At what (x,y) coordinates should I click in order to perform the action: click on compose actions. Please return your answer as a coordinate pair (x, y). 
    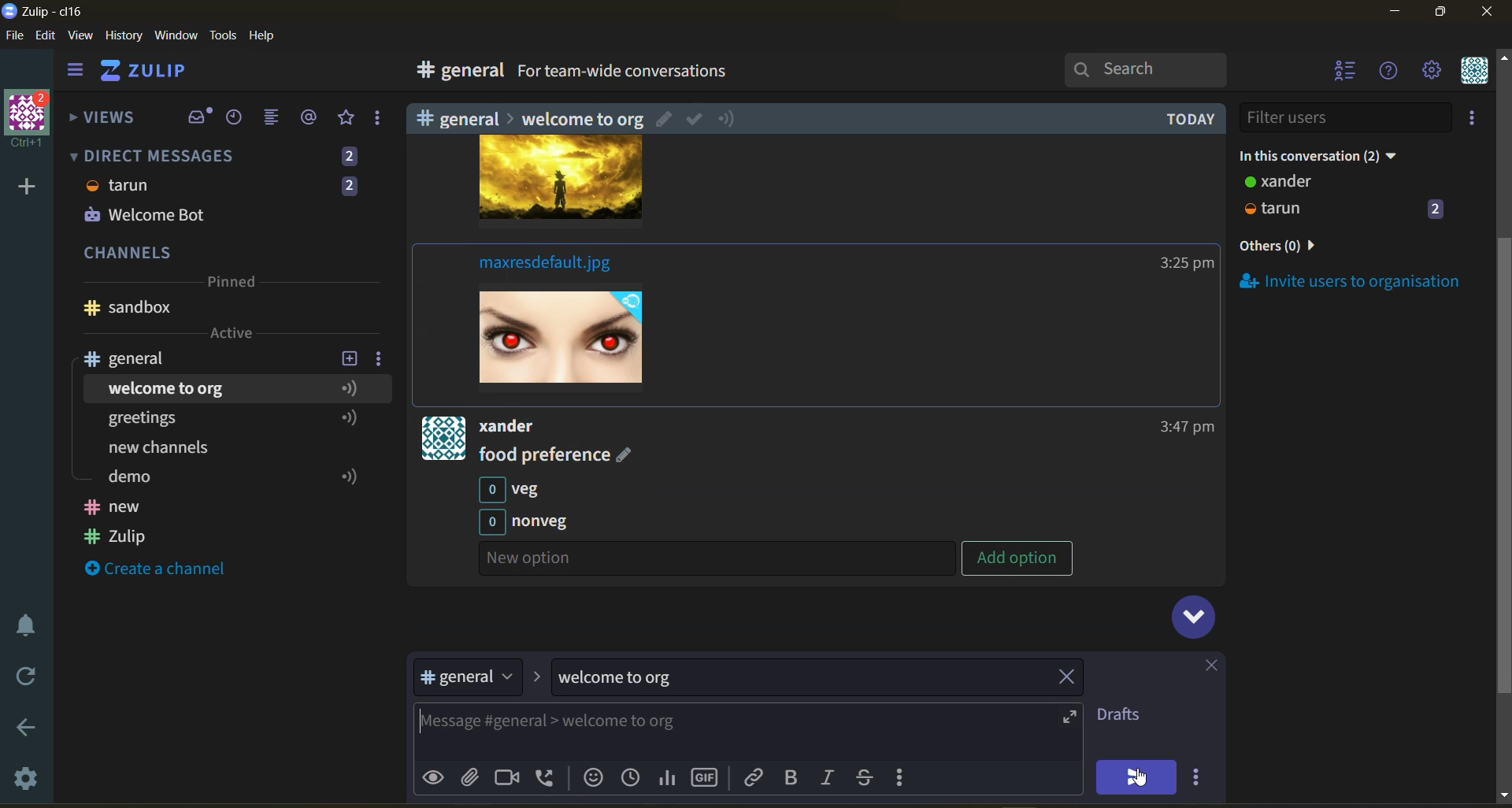
    Looking at the image, I should click on (900, 780).